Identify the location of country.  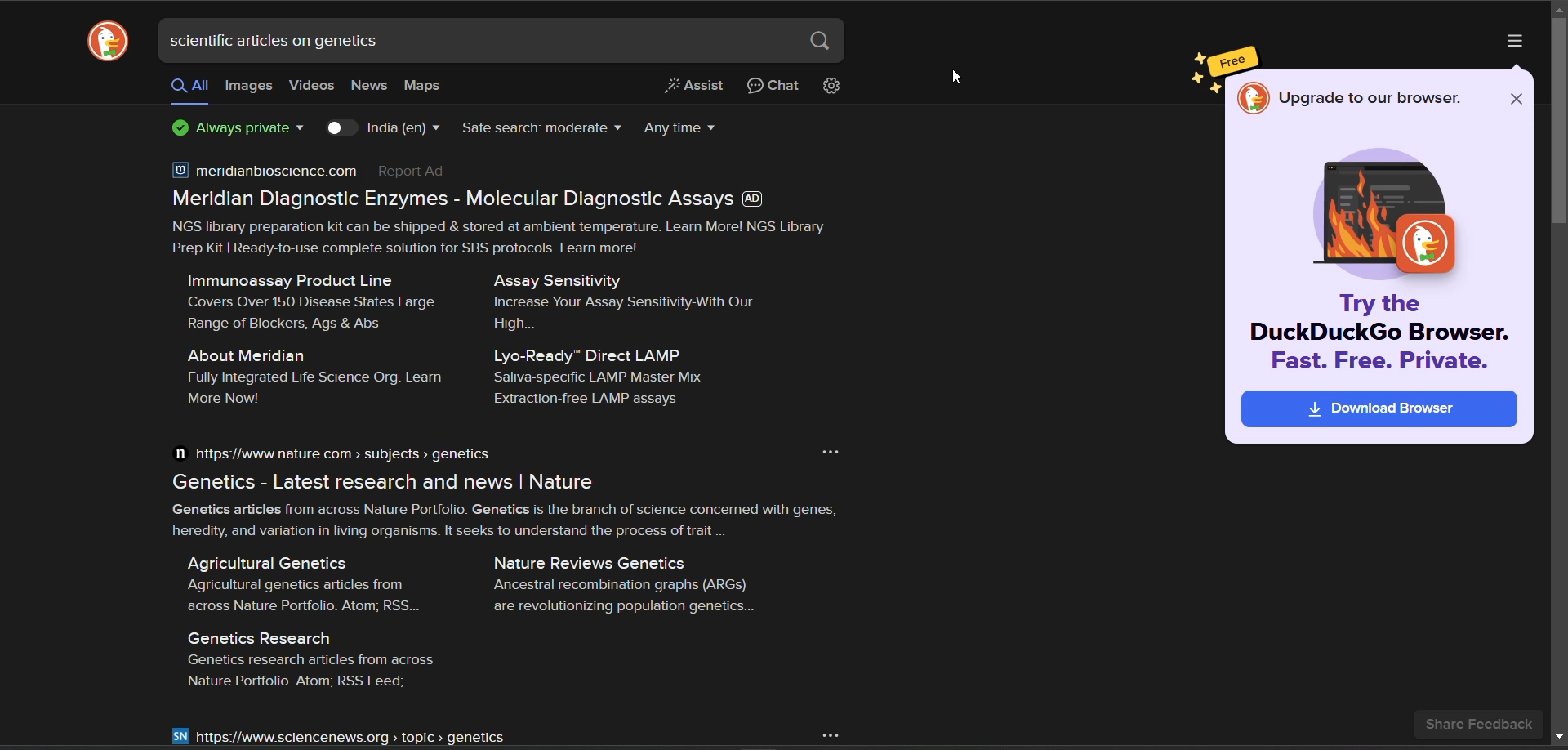
(405, 128).